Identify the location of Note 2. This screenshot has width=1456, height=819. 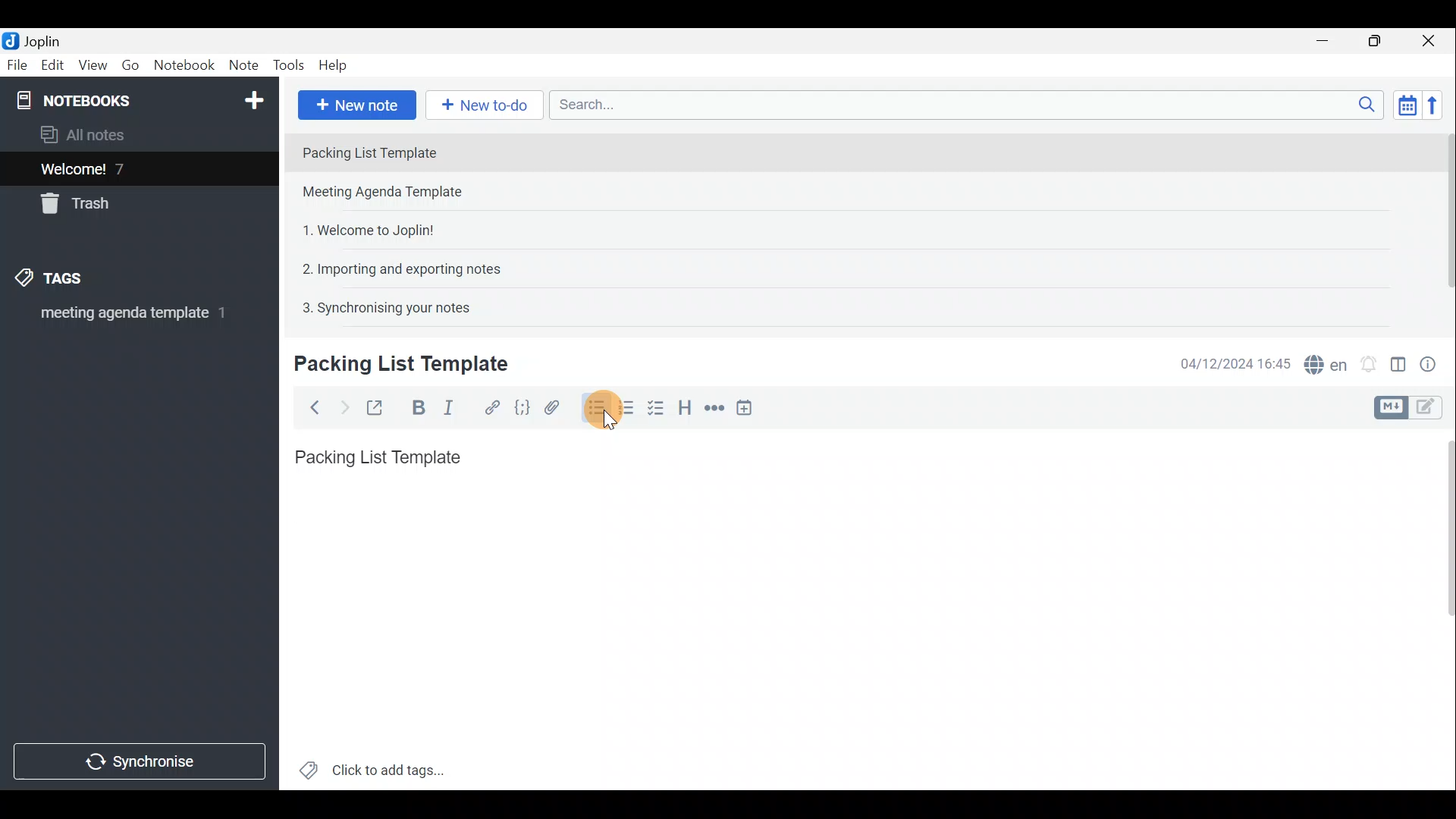
(397, 193).